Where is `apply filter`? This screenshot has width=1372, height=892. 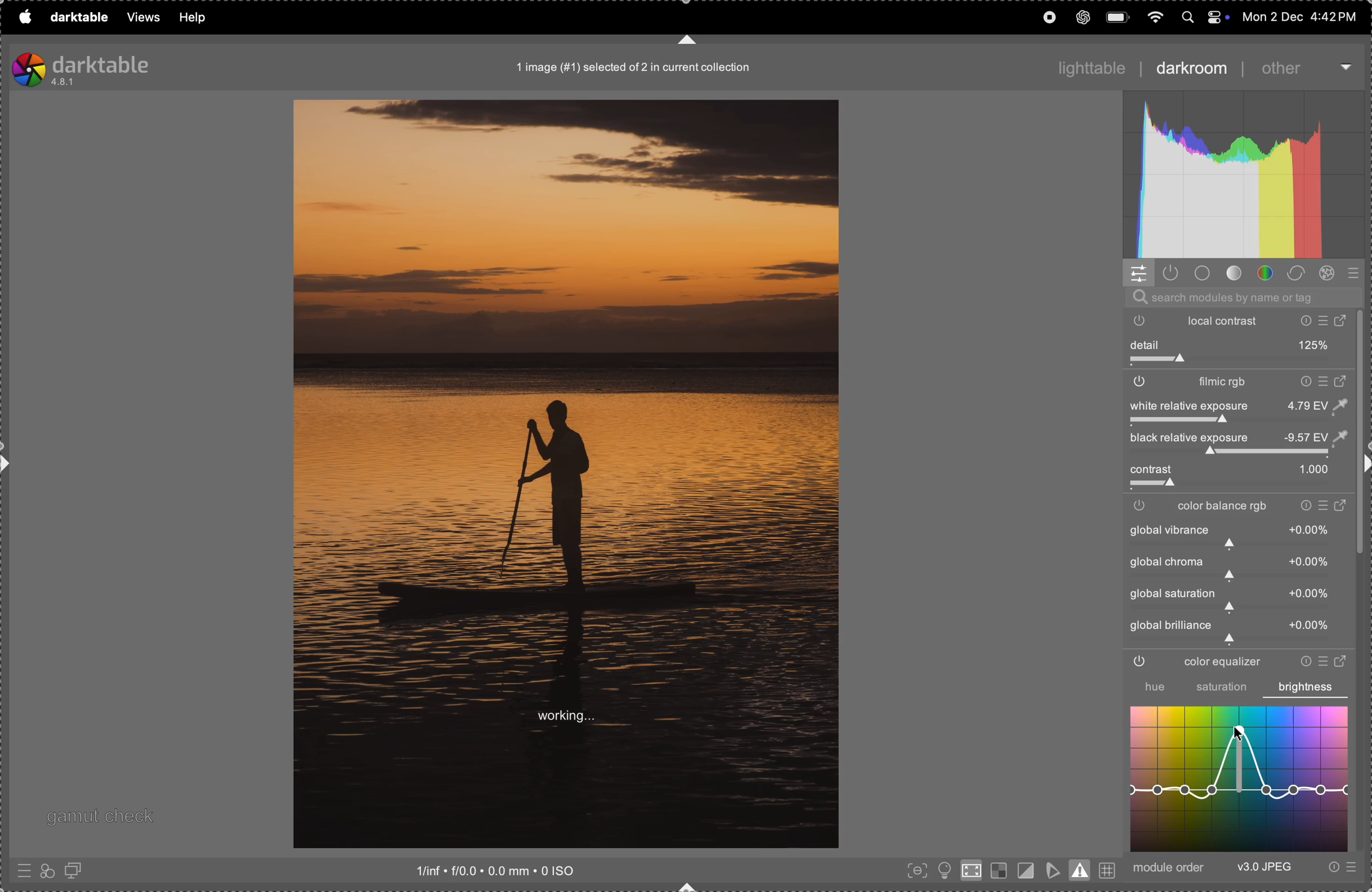
apply filter is located at coordinates (47, 870).